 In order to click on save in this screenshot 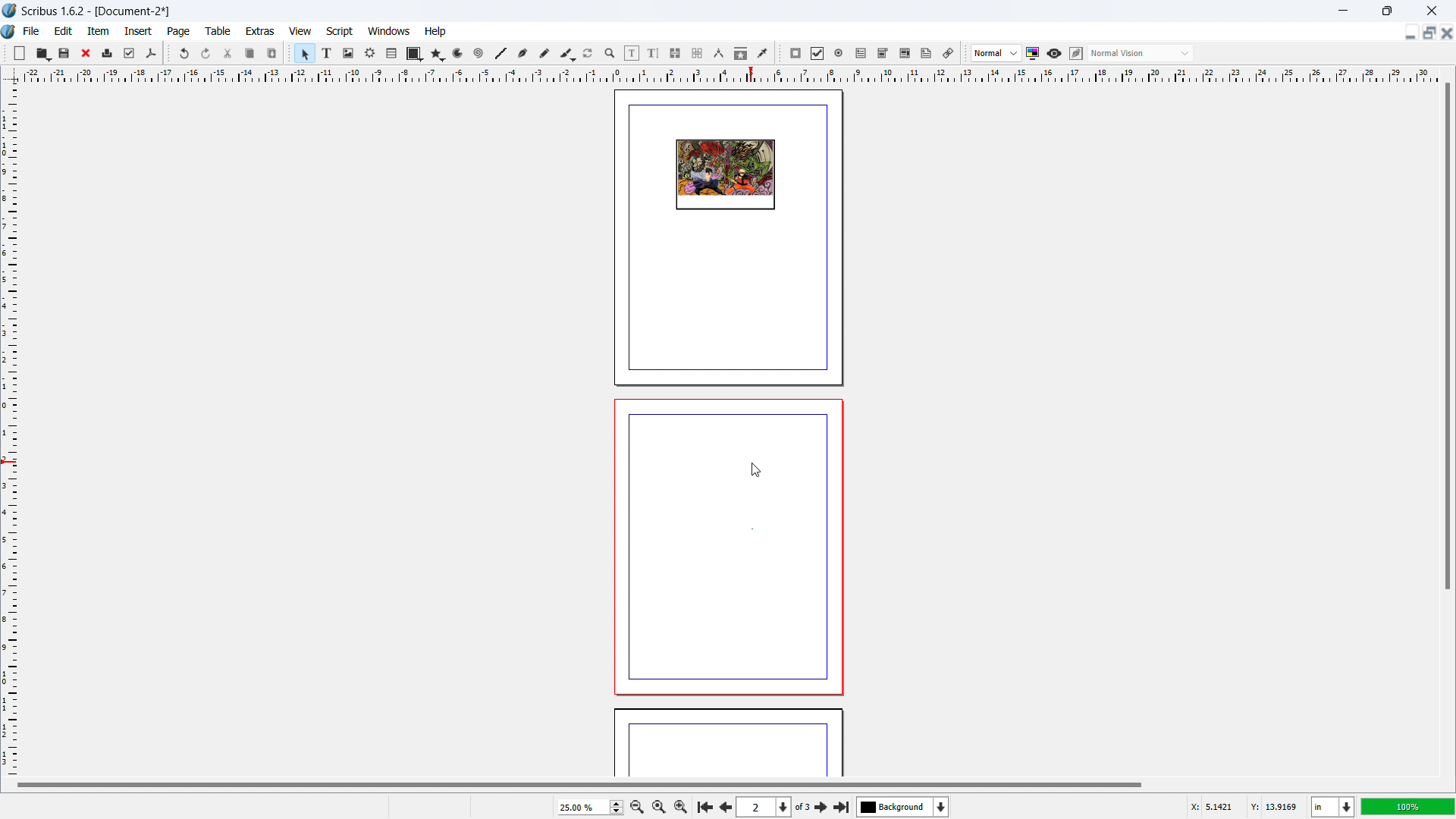, I will do `click(65, 52)`.